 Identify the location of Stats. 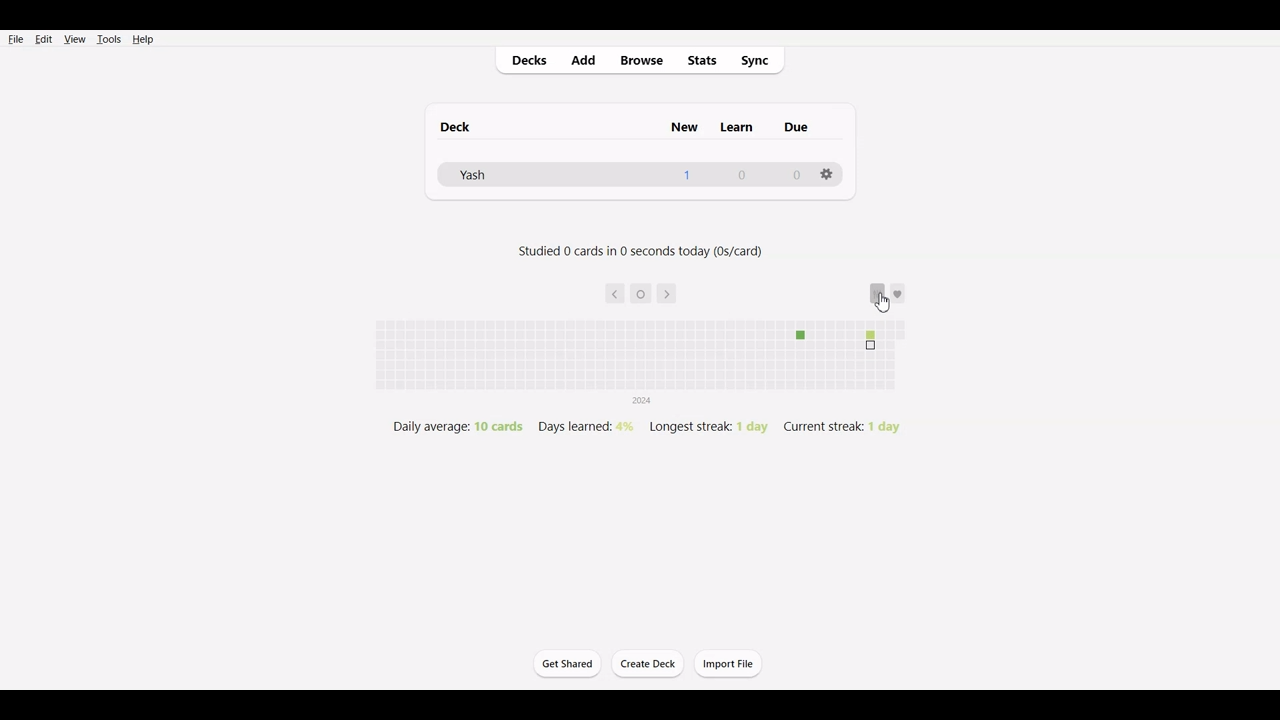
(703, 60).